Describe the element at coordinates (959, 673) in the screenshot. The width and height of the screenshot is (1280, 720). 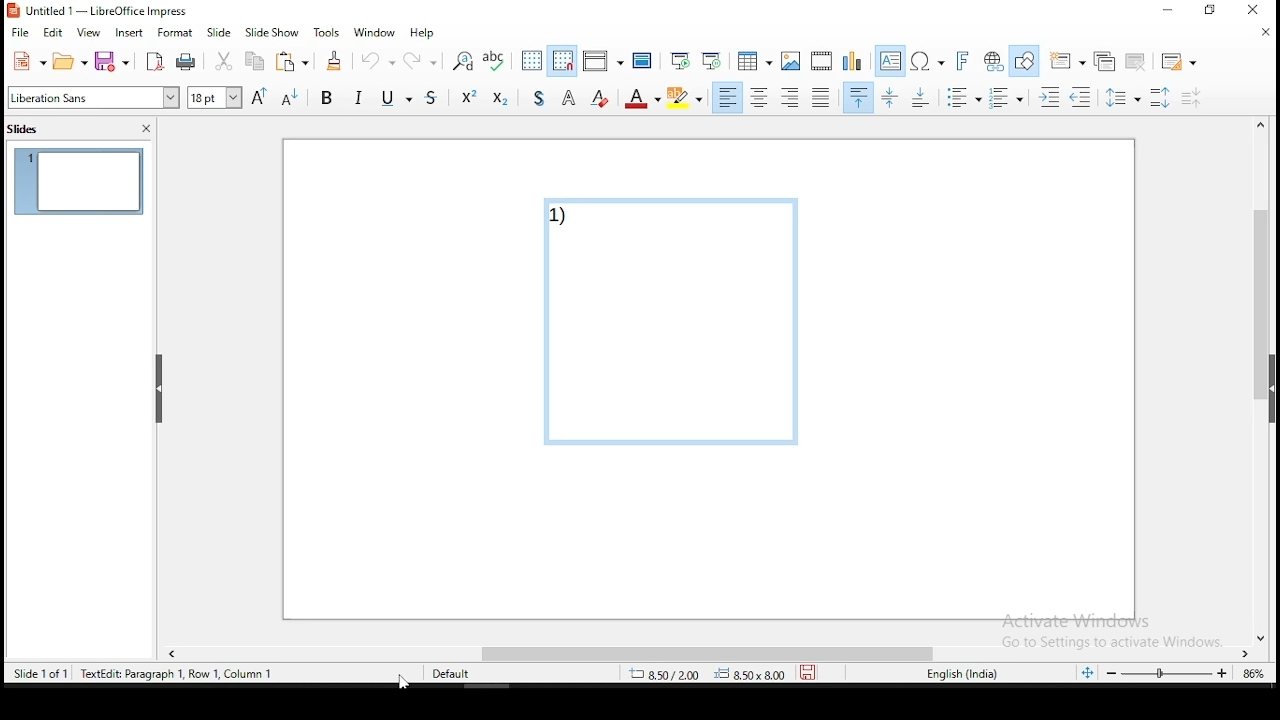
I see `english (india)` at that location.